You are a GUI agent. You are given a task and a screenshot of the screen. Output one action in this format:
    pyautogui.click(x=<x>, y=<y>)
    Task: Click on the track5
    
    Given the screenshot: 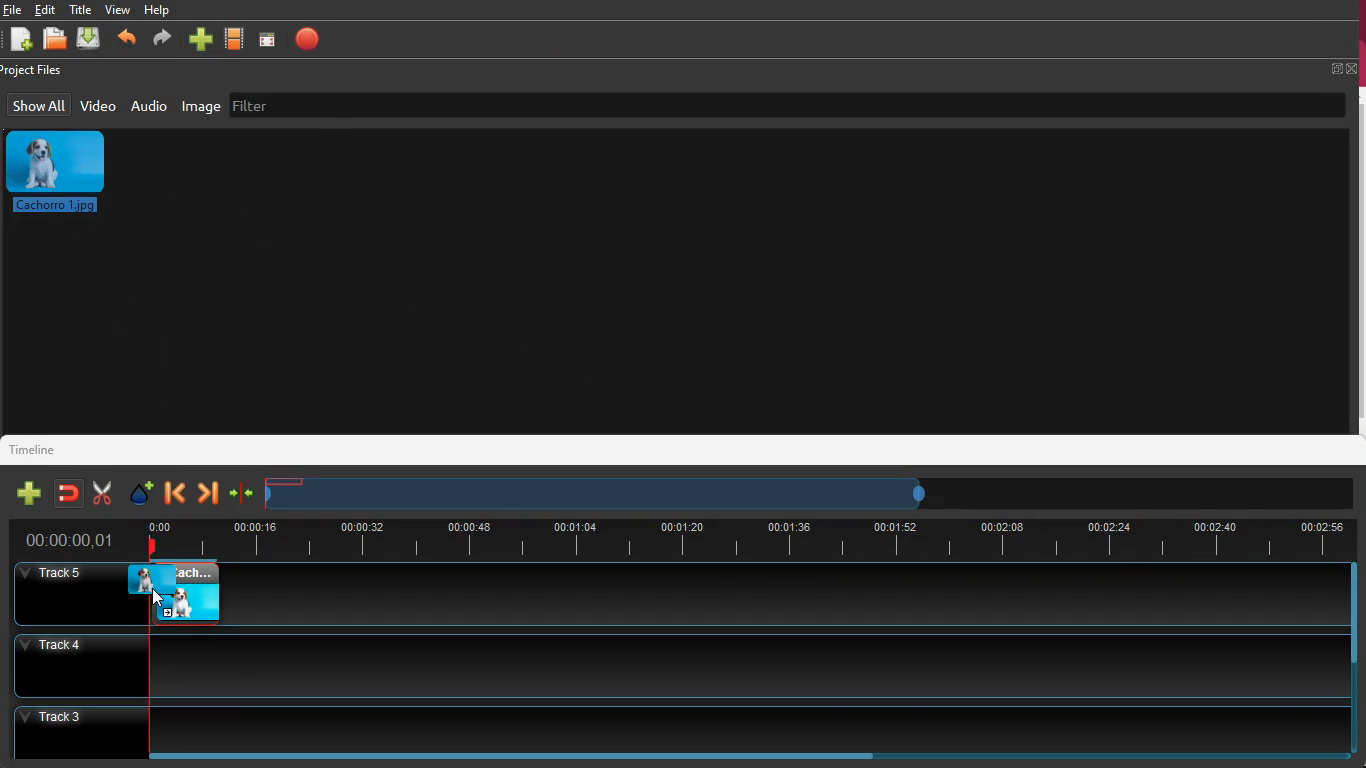 What is the action you would take?
    pyautogui.click(x=788, y=596)
    